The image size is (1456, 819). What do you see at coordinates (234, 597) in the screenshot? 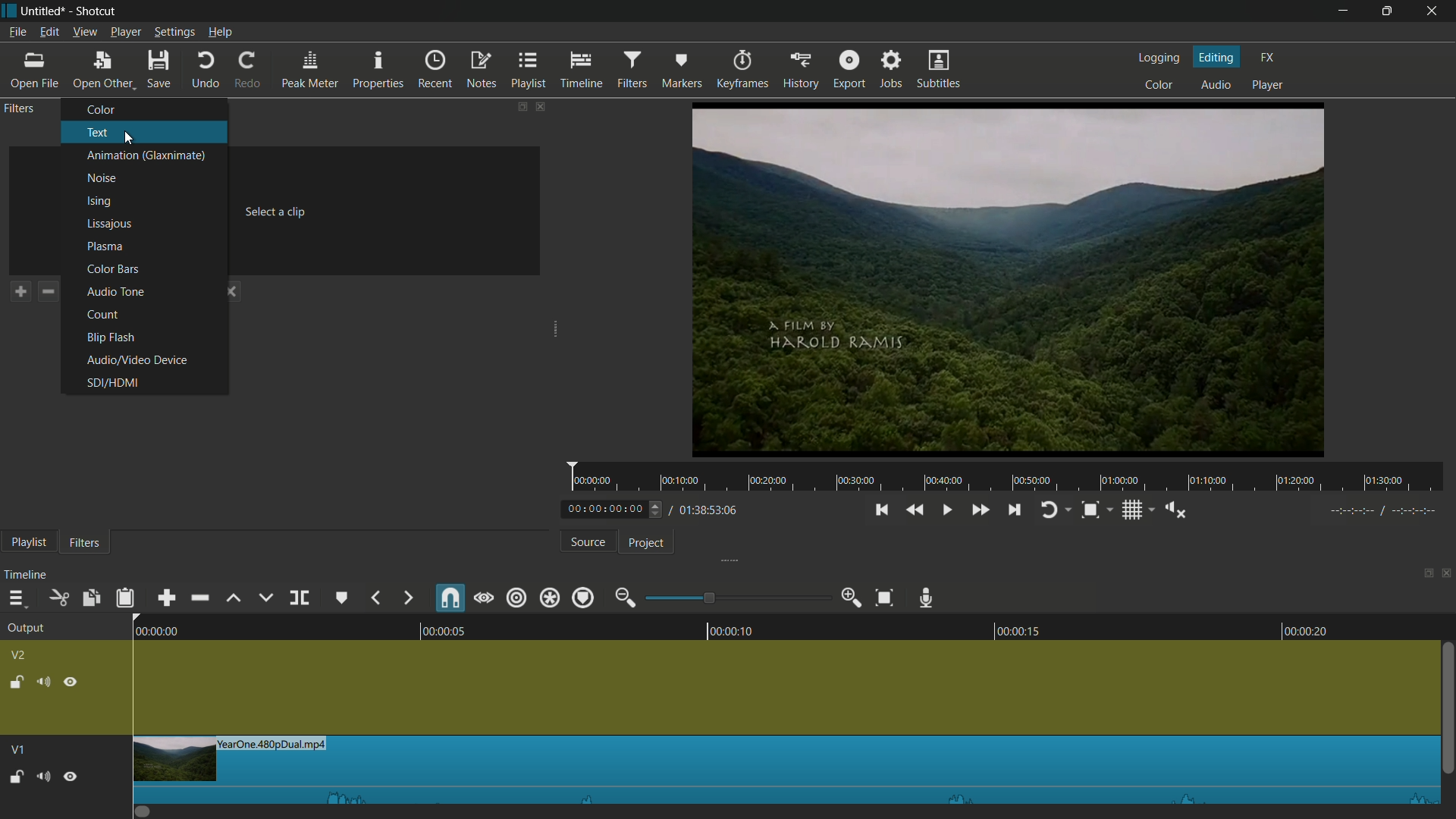
I see `lift` at bounding box center [234, 597].